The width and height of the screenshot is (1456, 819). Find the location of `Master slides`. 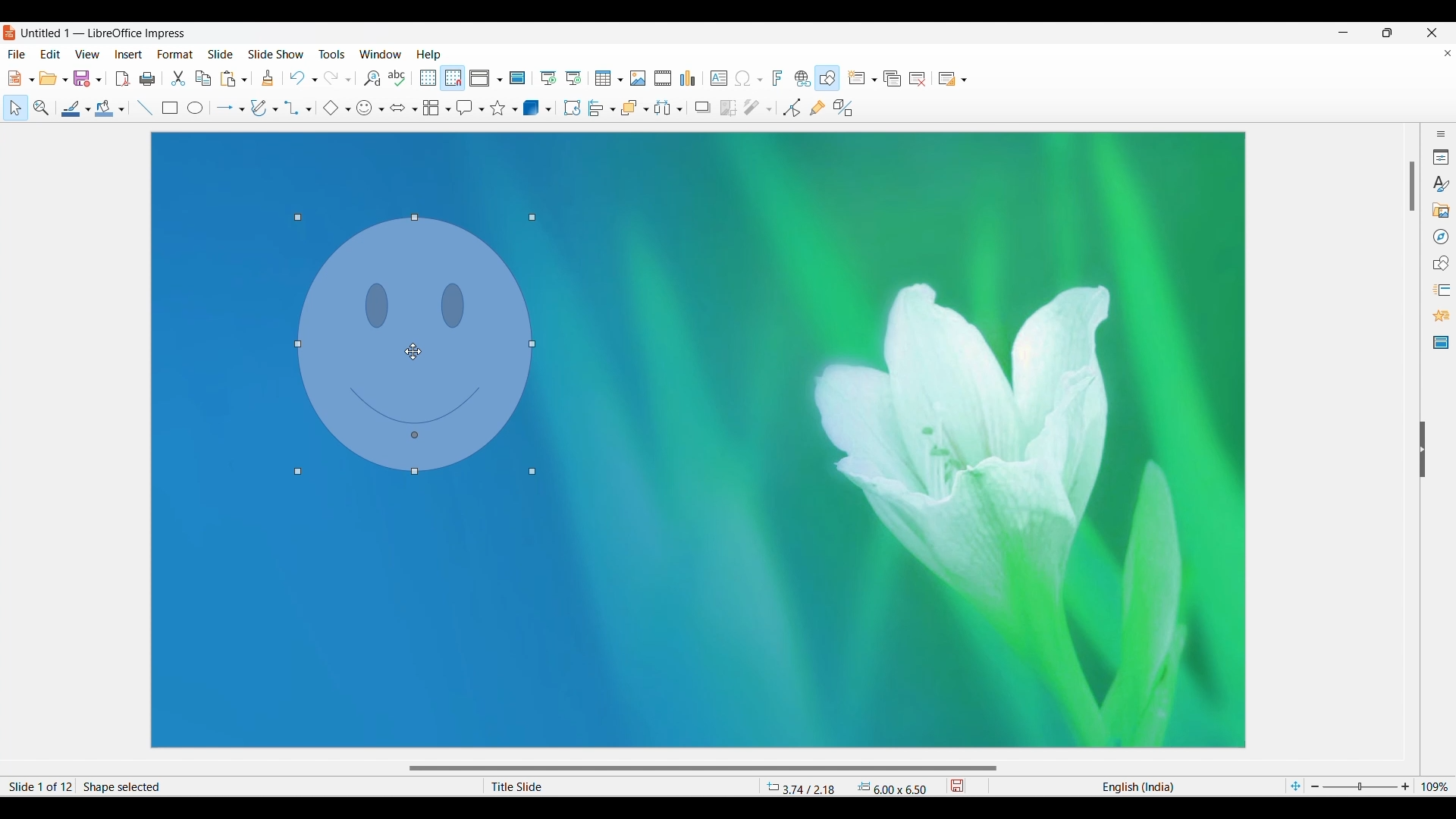

Master slides is located at coordinates (1441, 342).